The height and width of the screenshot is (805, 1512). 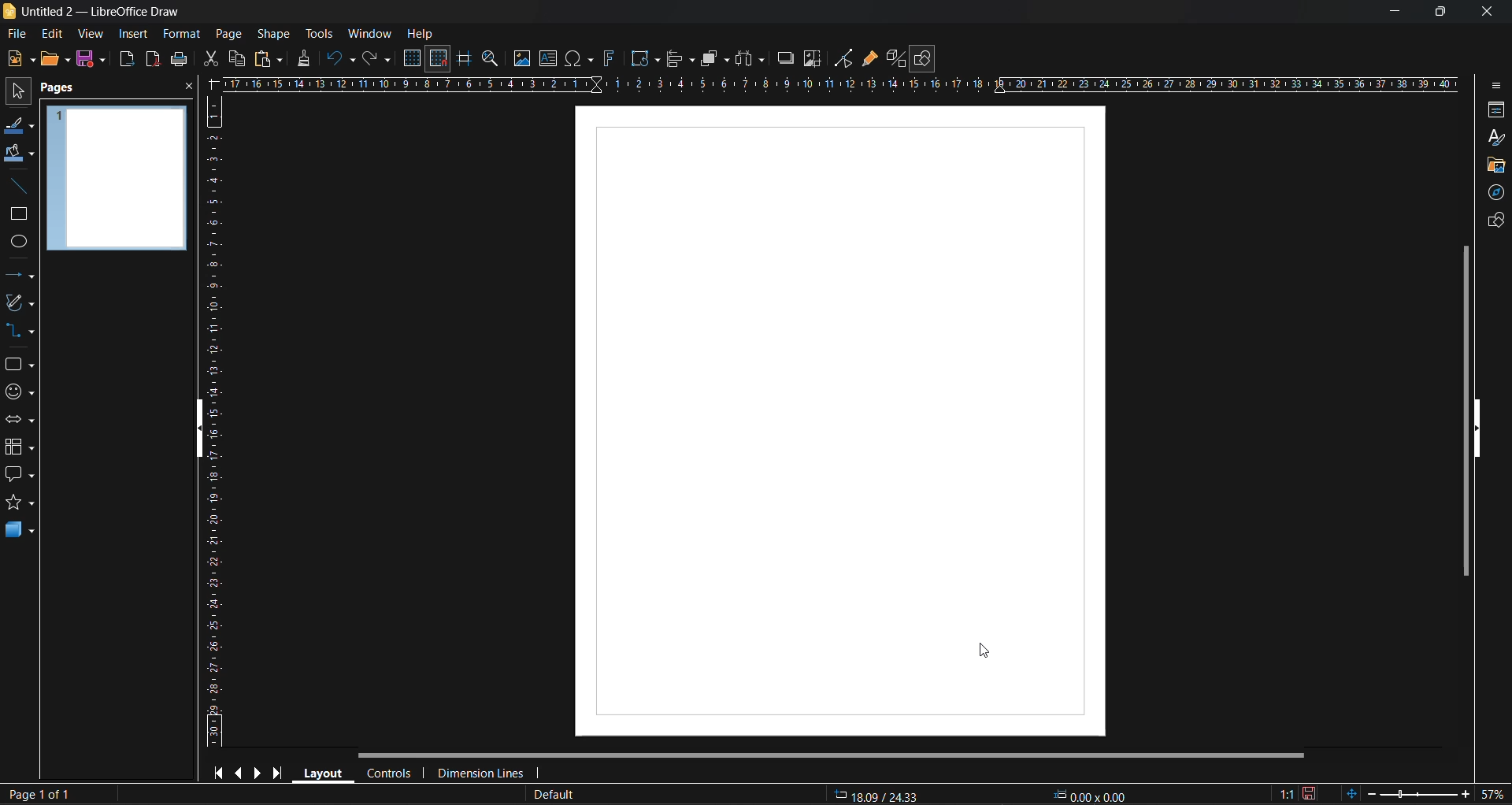 I want to click on pages, so click(x=65, y=91).